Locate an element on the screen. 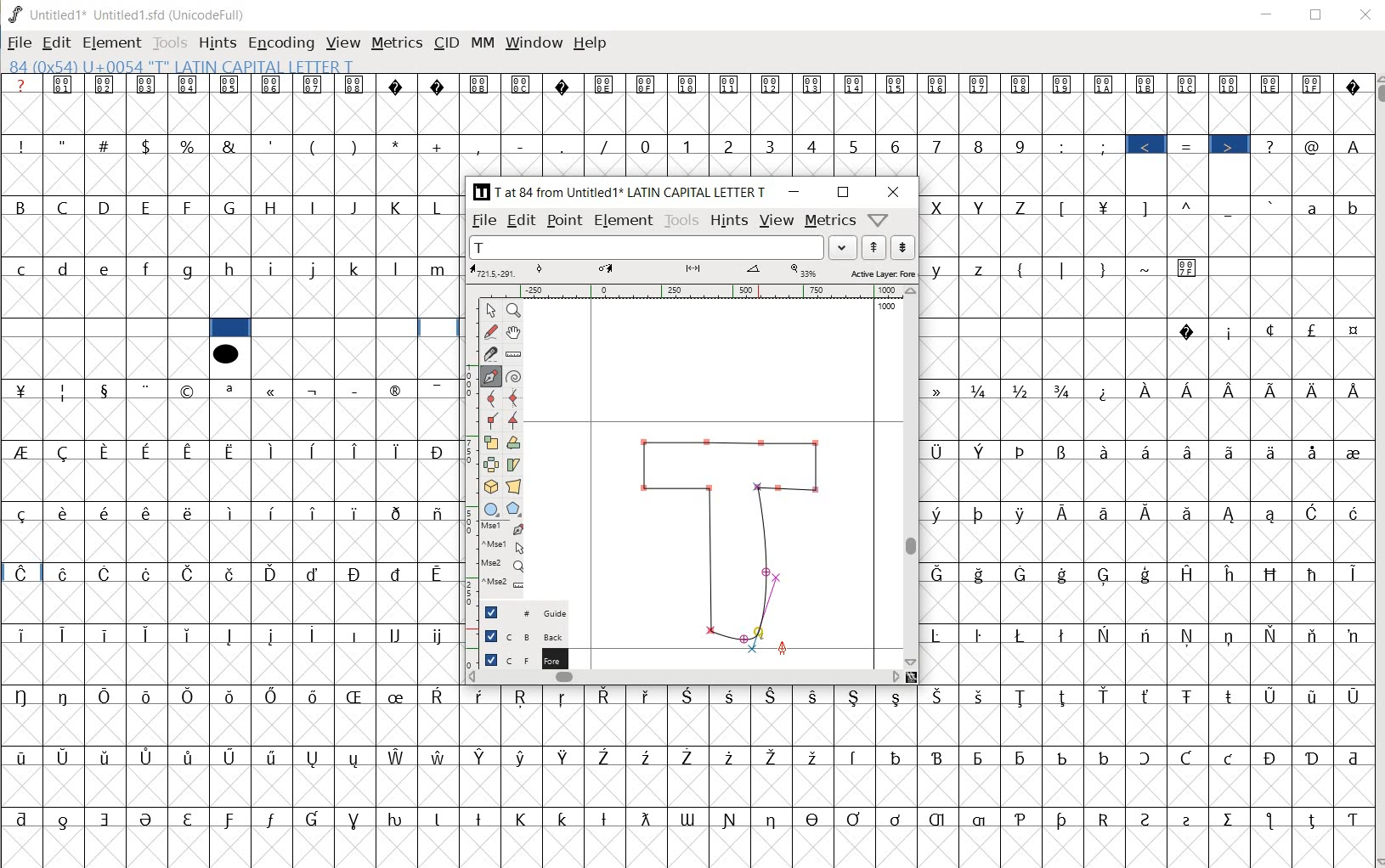 The image size is (1385, 868). I is located at coordinates (315, 208).